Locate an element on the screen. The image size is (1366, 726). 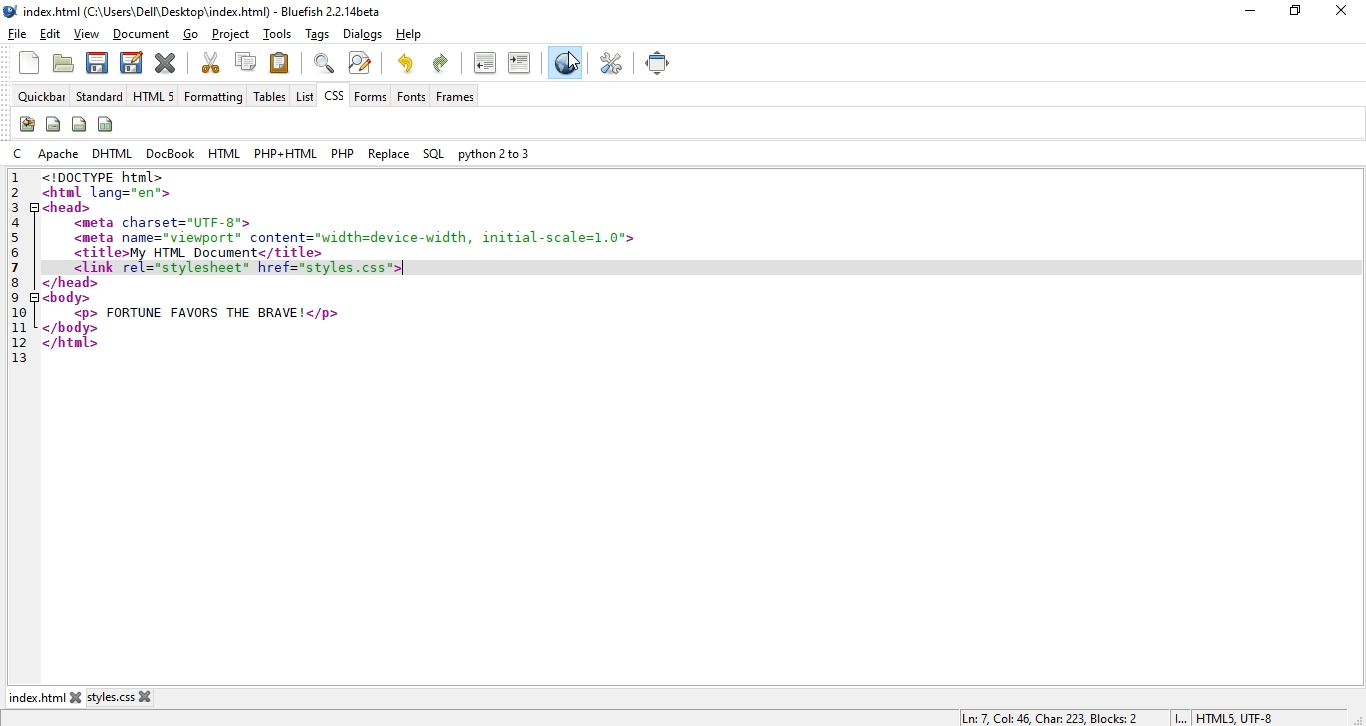
cursor is located at coordinates (576, 62).